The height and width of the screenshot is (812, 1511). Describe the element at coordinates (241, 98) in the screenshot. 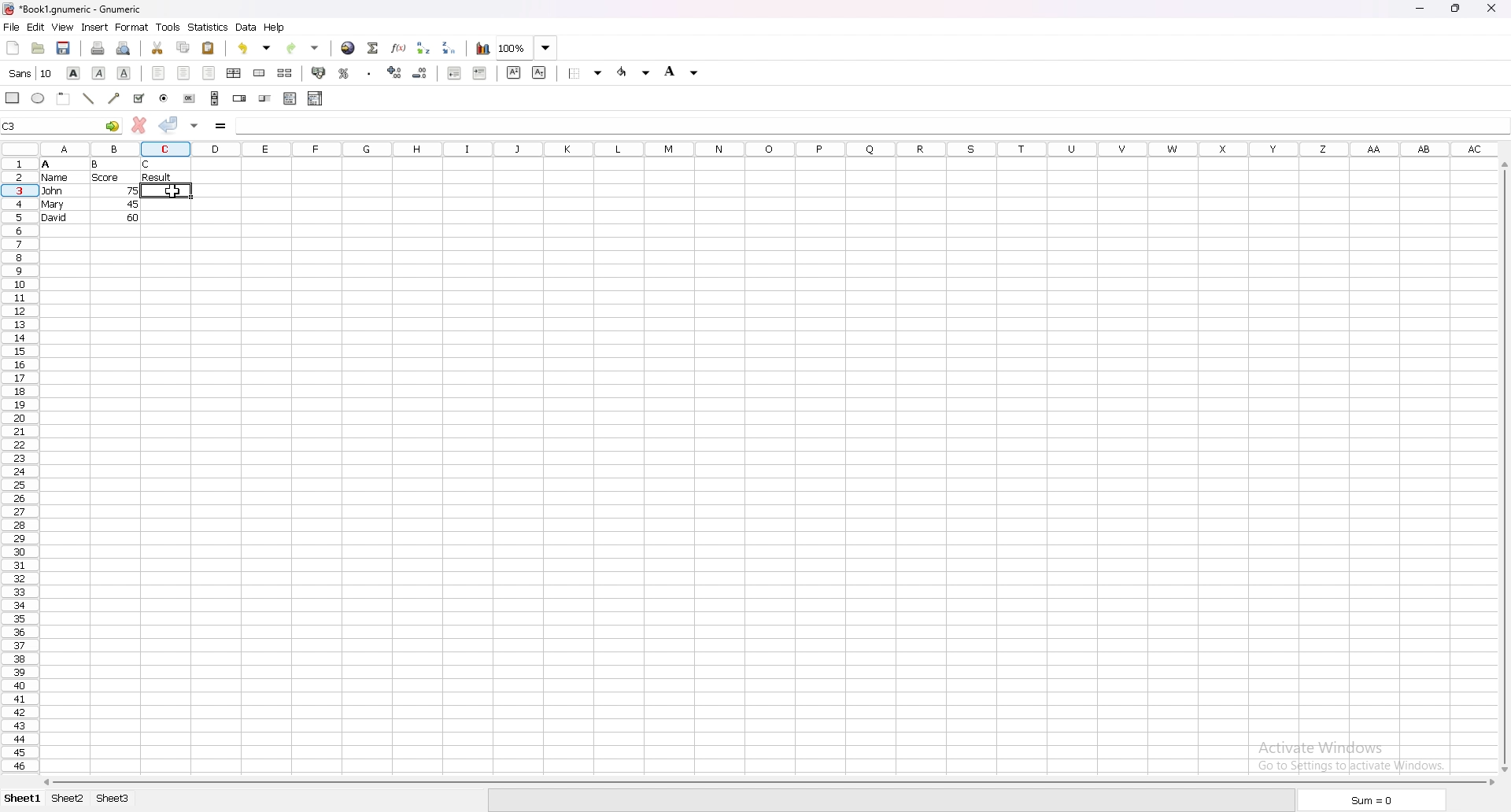

I see `spin button` at that location.